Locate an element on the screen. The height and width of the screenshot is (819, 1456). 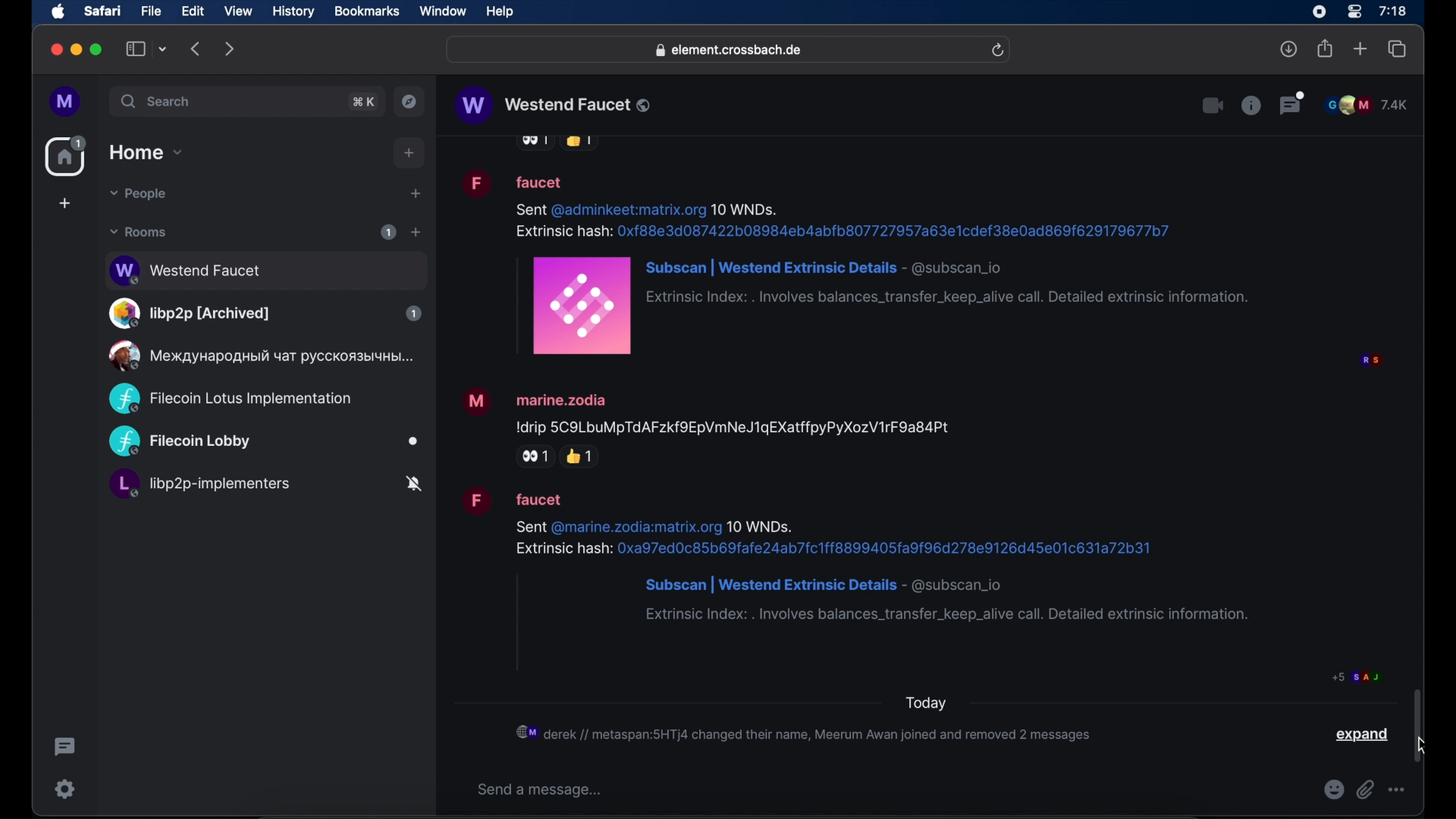
search is located at coordinates (157, 101).